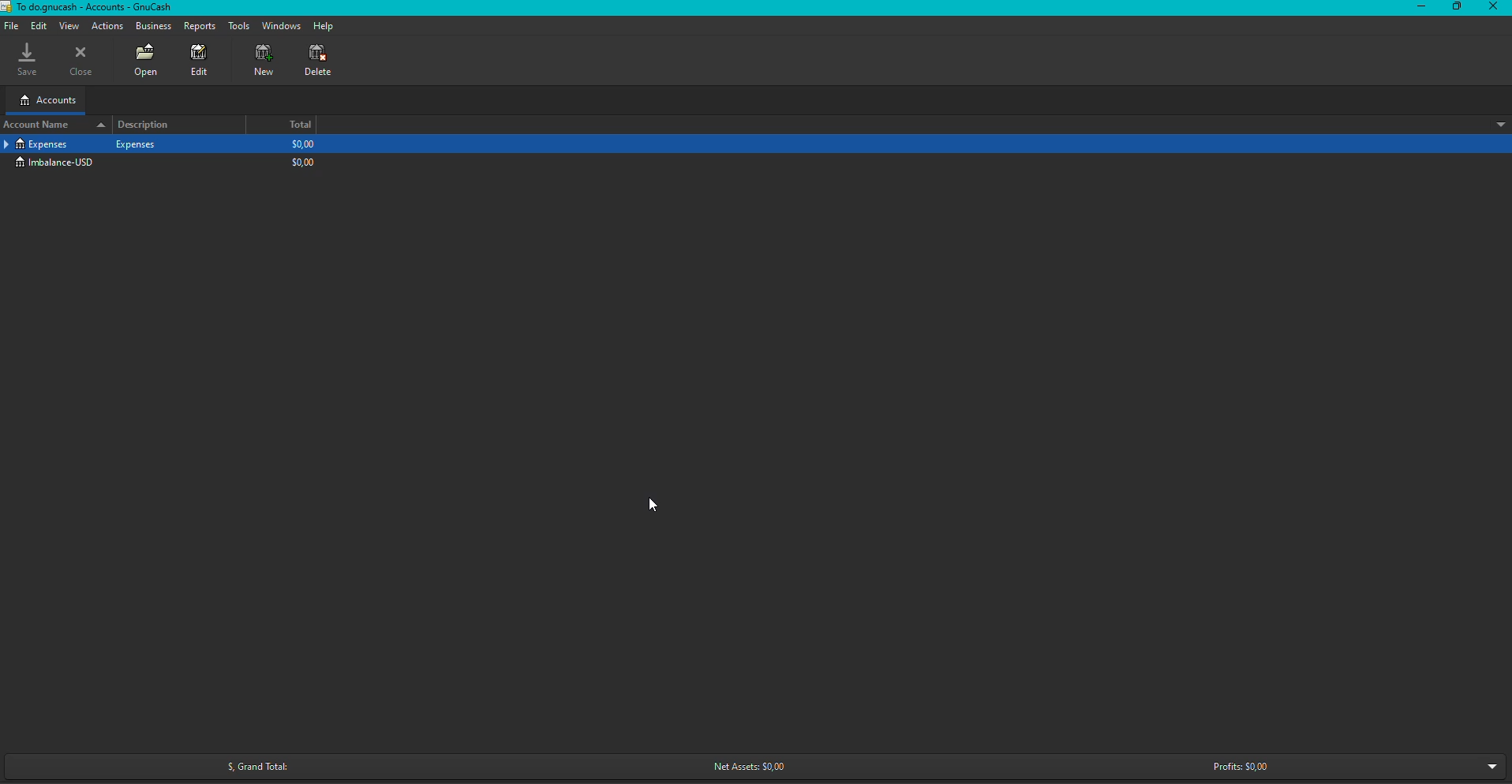 The image size is (1512, 784). What do you see at coordinates (302, 155) in the screenshot?
I see `$0` at bounding box center [302, 155].